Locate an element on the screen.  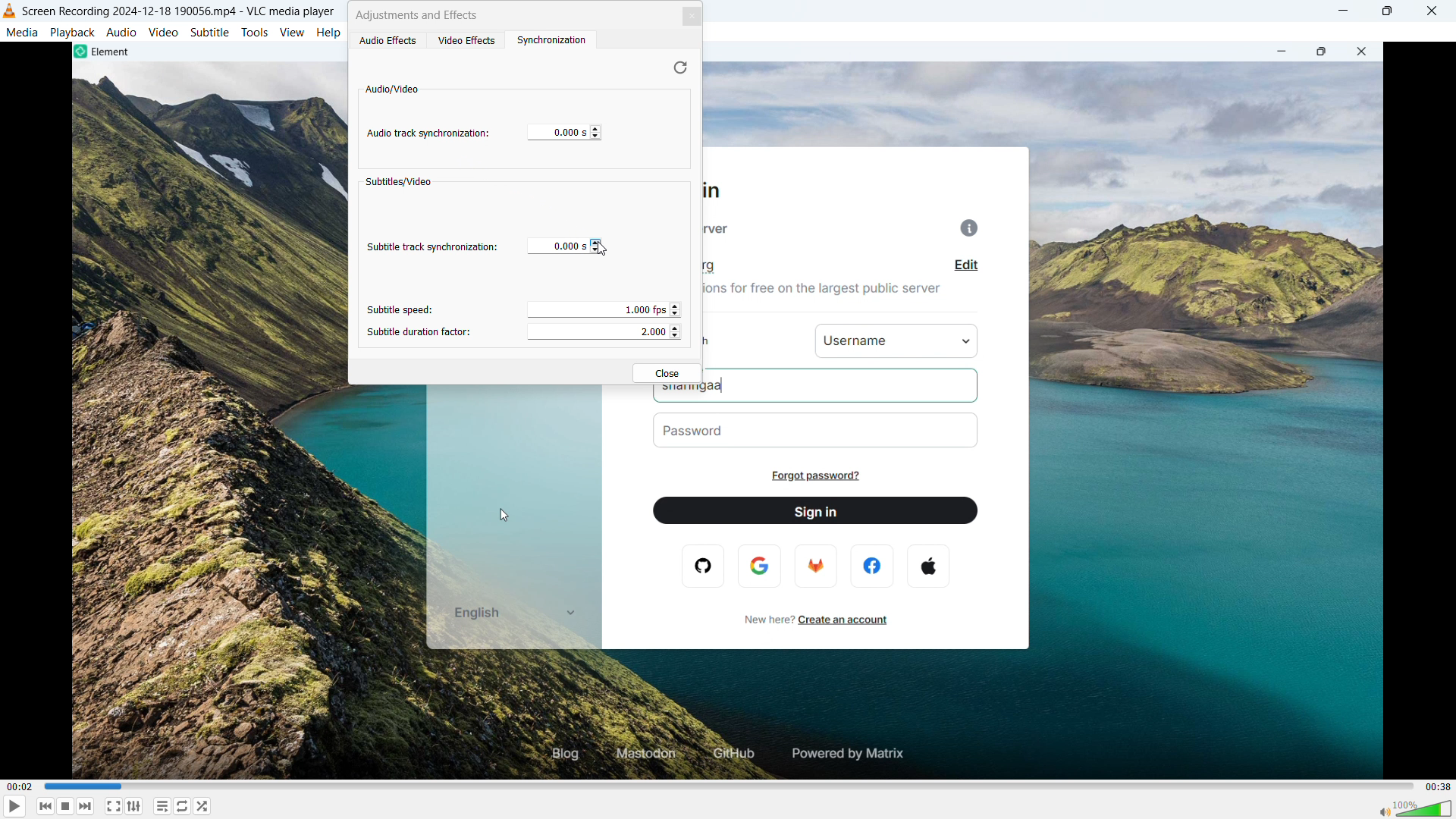
screen recording 2024-12-188 190056 mp4 -vlc media player is located at coordinates (181, 10).